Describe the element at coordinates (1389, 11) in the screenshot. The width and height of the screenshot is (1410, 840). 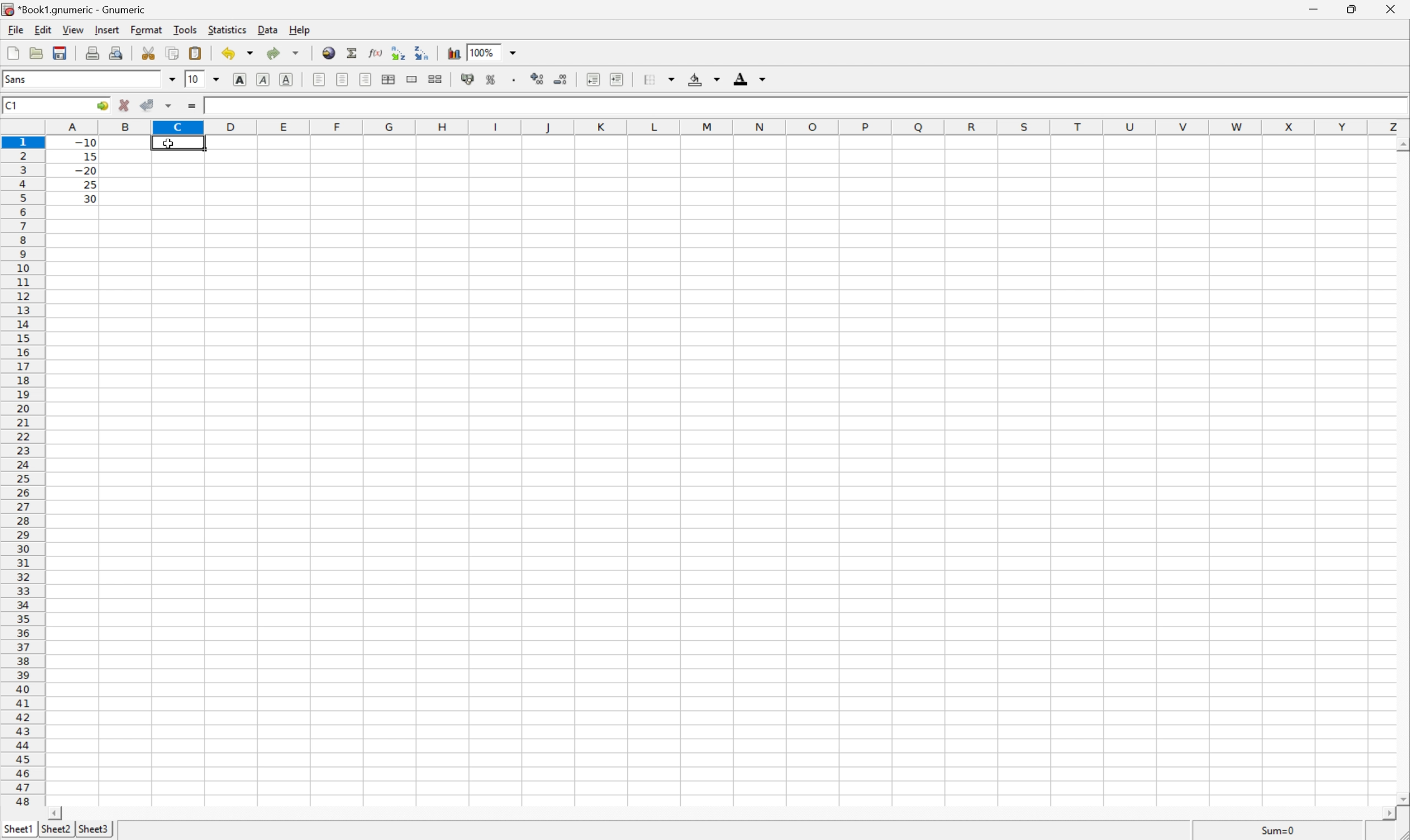
I see `close` at that location.